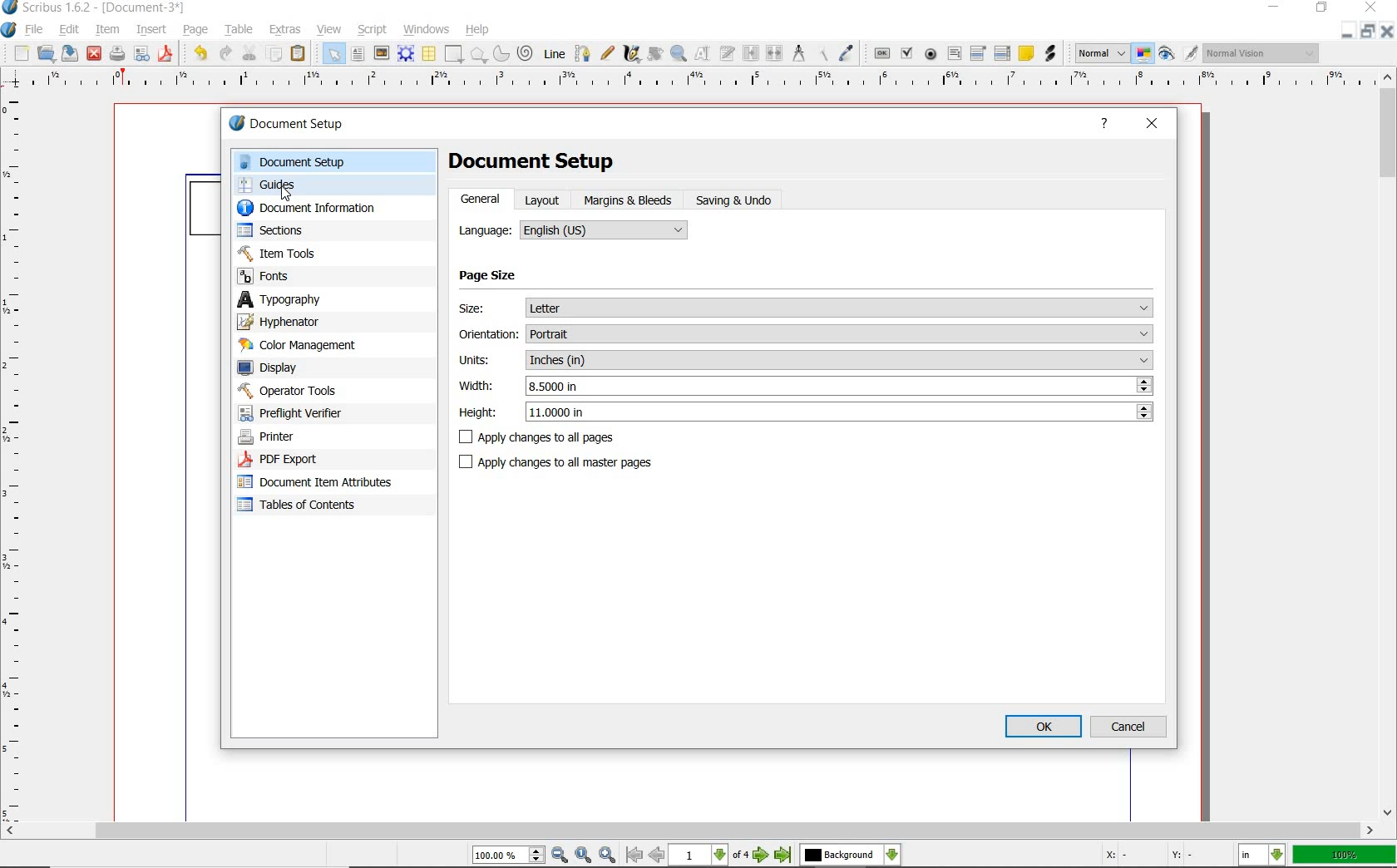  What do you see at coordinates (198, 54) in the screenshot?
I see `undo` at bounding box center [198, 54].